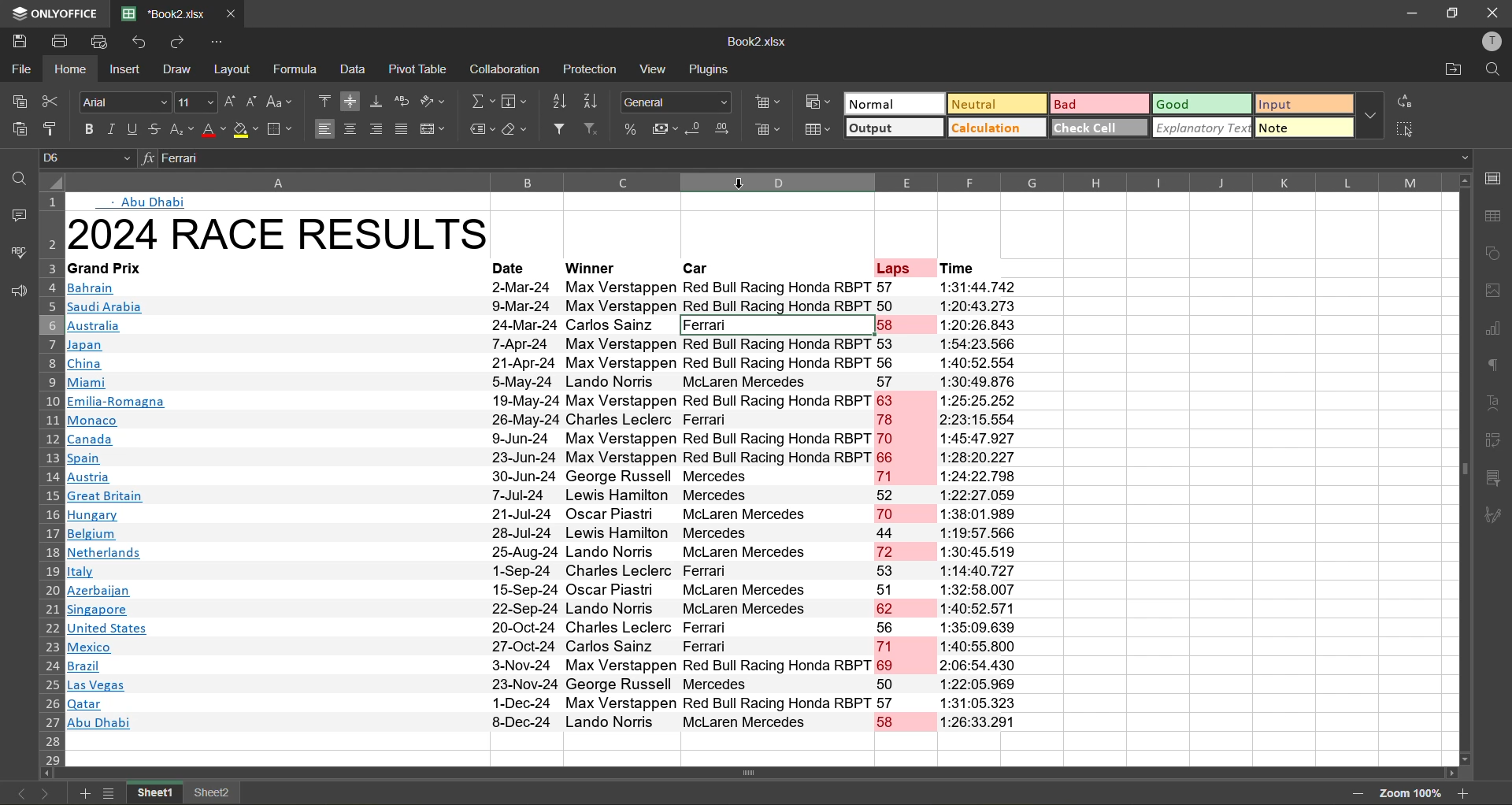  I want to click on |Ssaudi Arabia 9-Mar-24 Max Verstappen Red Bull Racing Honda RBPT 50 1:20:43.273, so click(542, 306).